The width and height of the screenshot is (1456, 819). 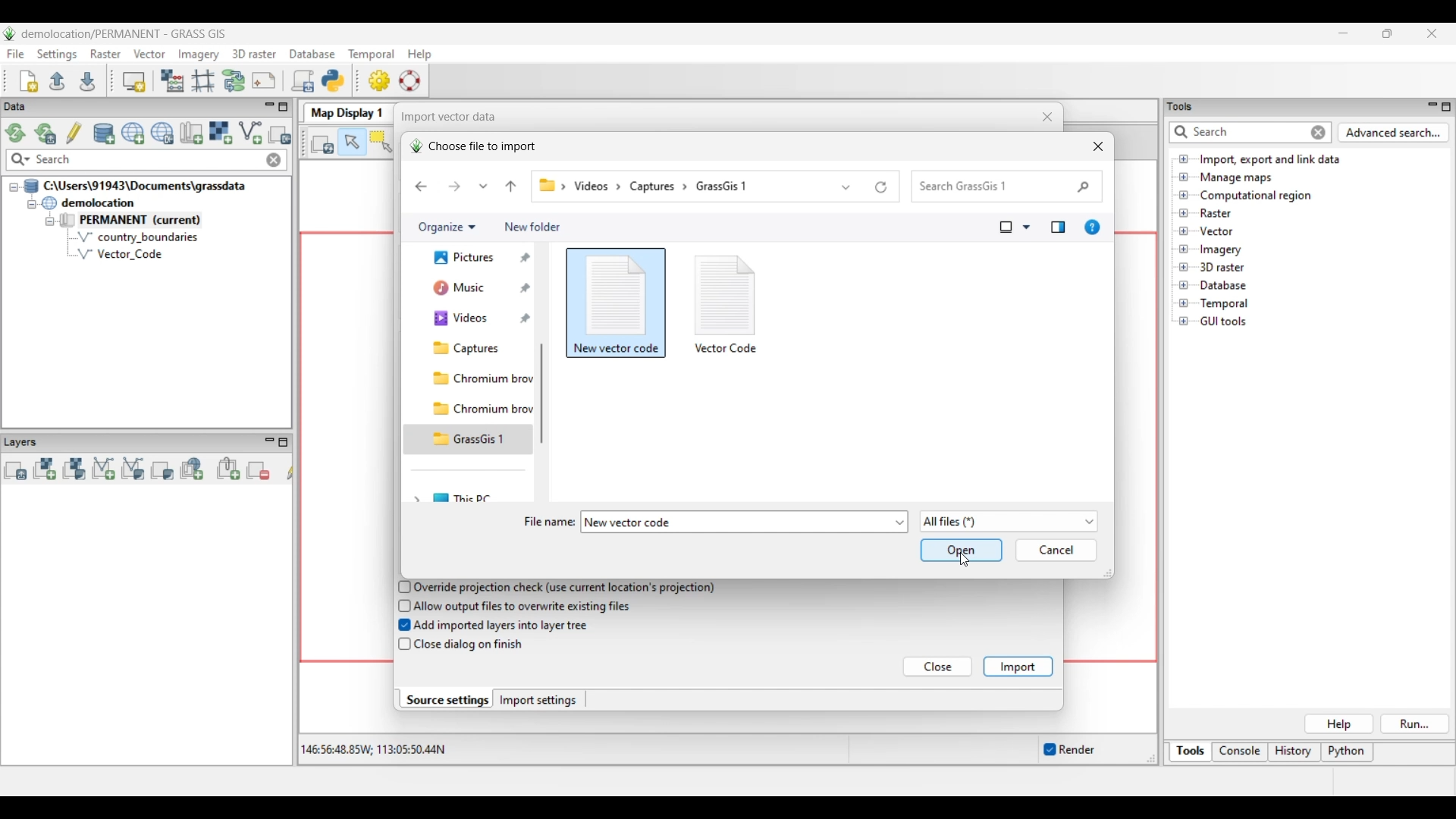 I want to click on Georectifier, so click(x=203, y=81).